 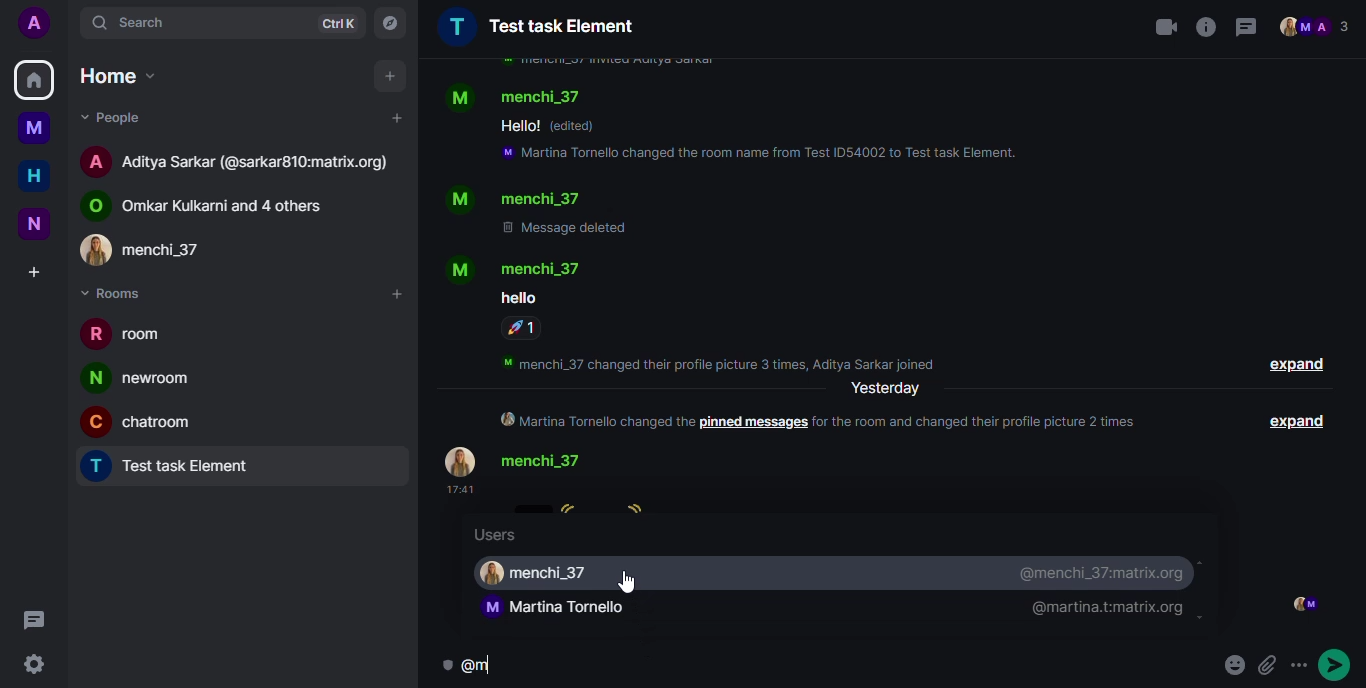 What do you see at coordinates (524, 461) in the screenshot?
I see `contact` at bounding box center [524, 461].